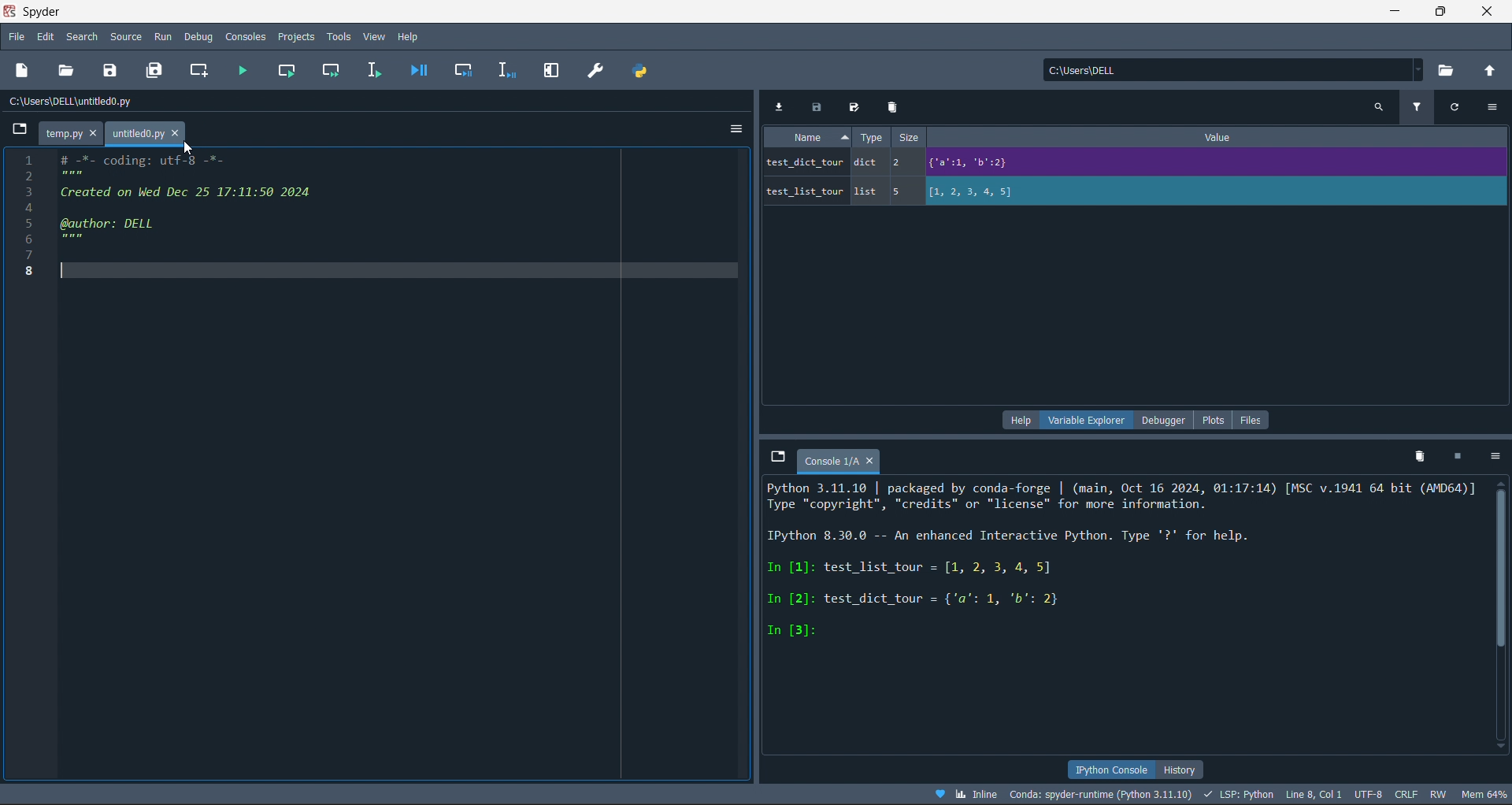 Image resolution: width=1512 pixels, height=805 pixels. I want to click on C:\Users\DELL\untitled0.py, so click(83, 104).